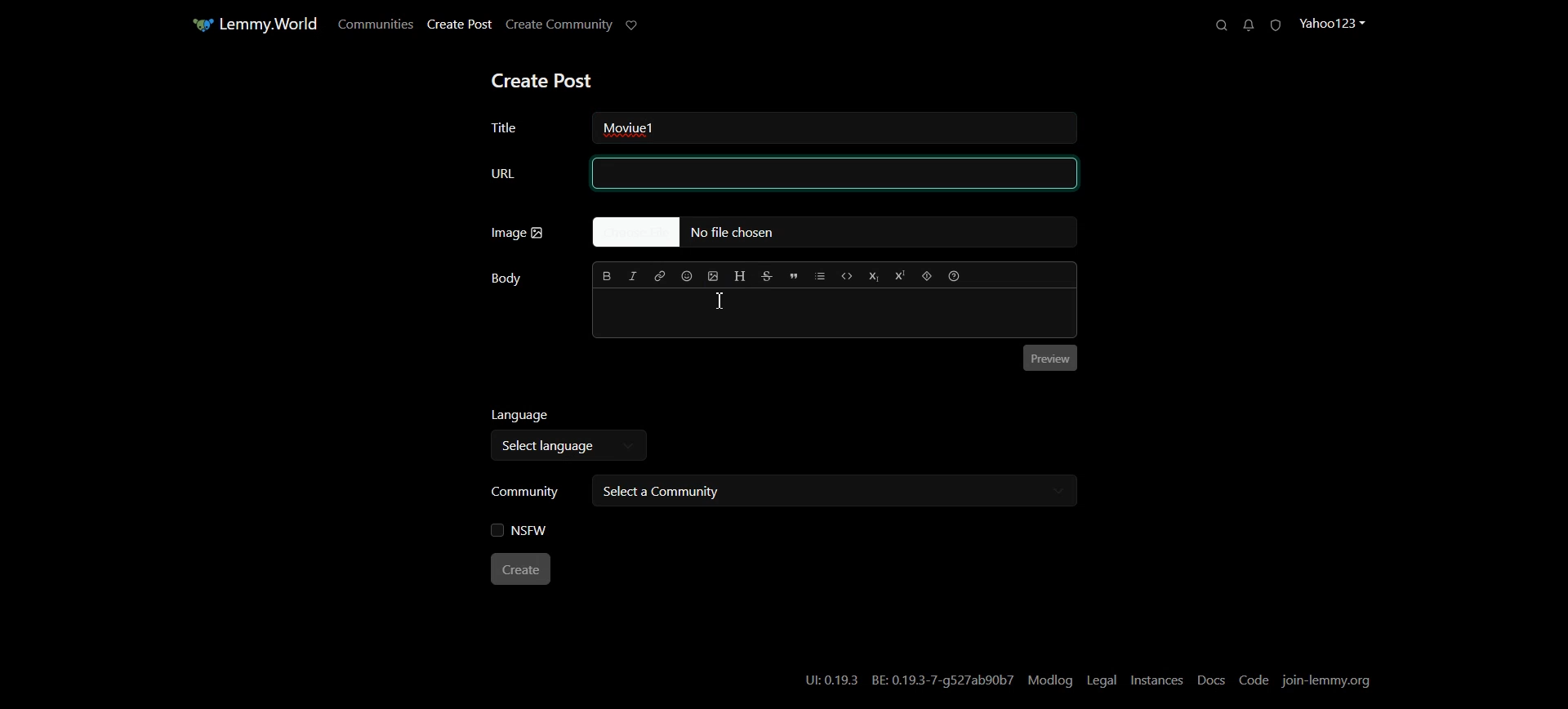 The width and height of the screenshot is (1568, 709). I want to click on Insert Emoji, so click(688, 276).